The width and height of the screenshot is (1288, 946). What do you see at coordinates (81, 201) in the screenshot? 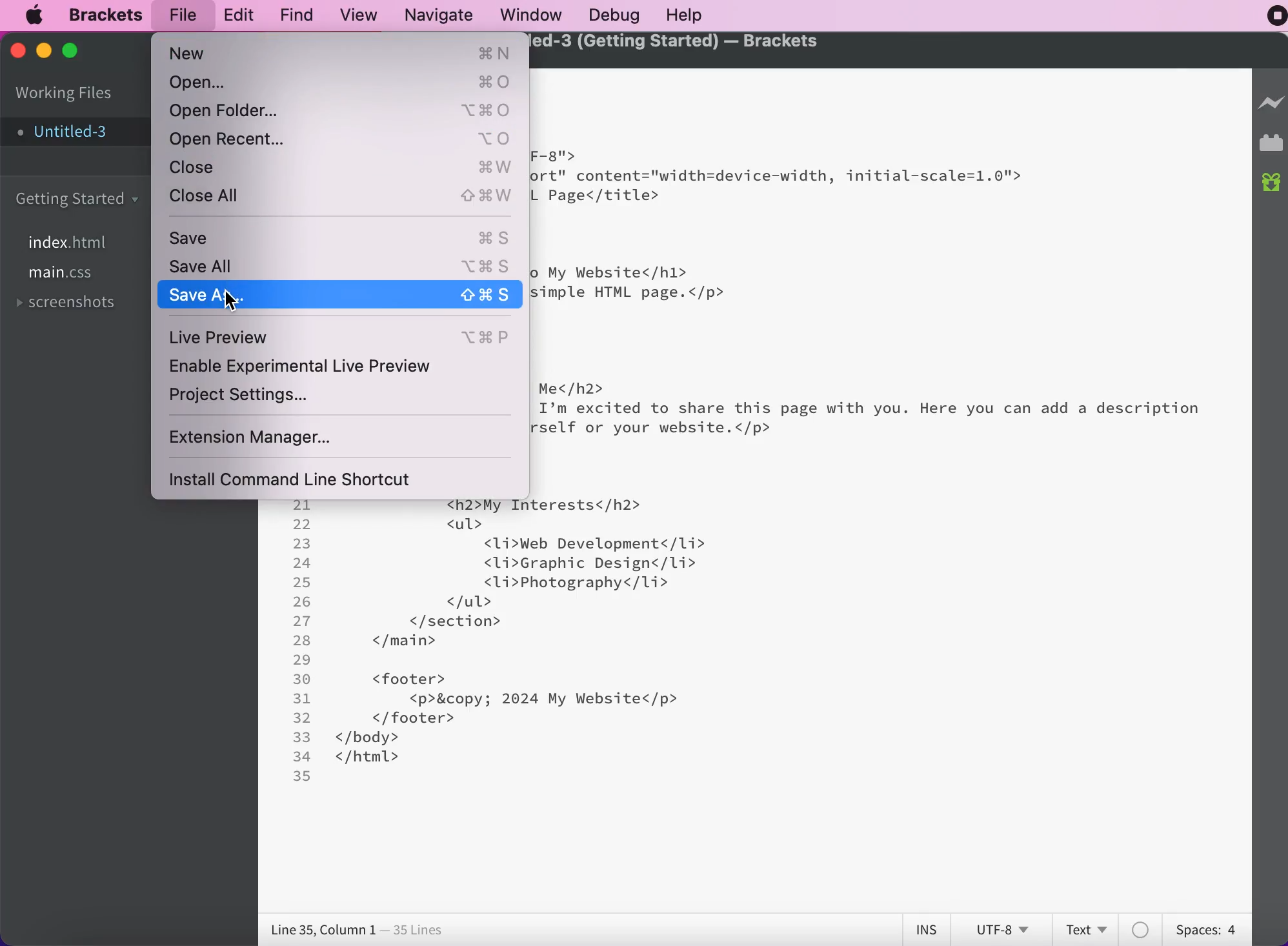
I see `getting started carpet` at bounding box center [81, 201].